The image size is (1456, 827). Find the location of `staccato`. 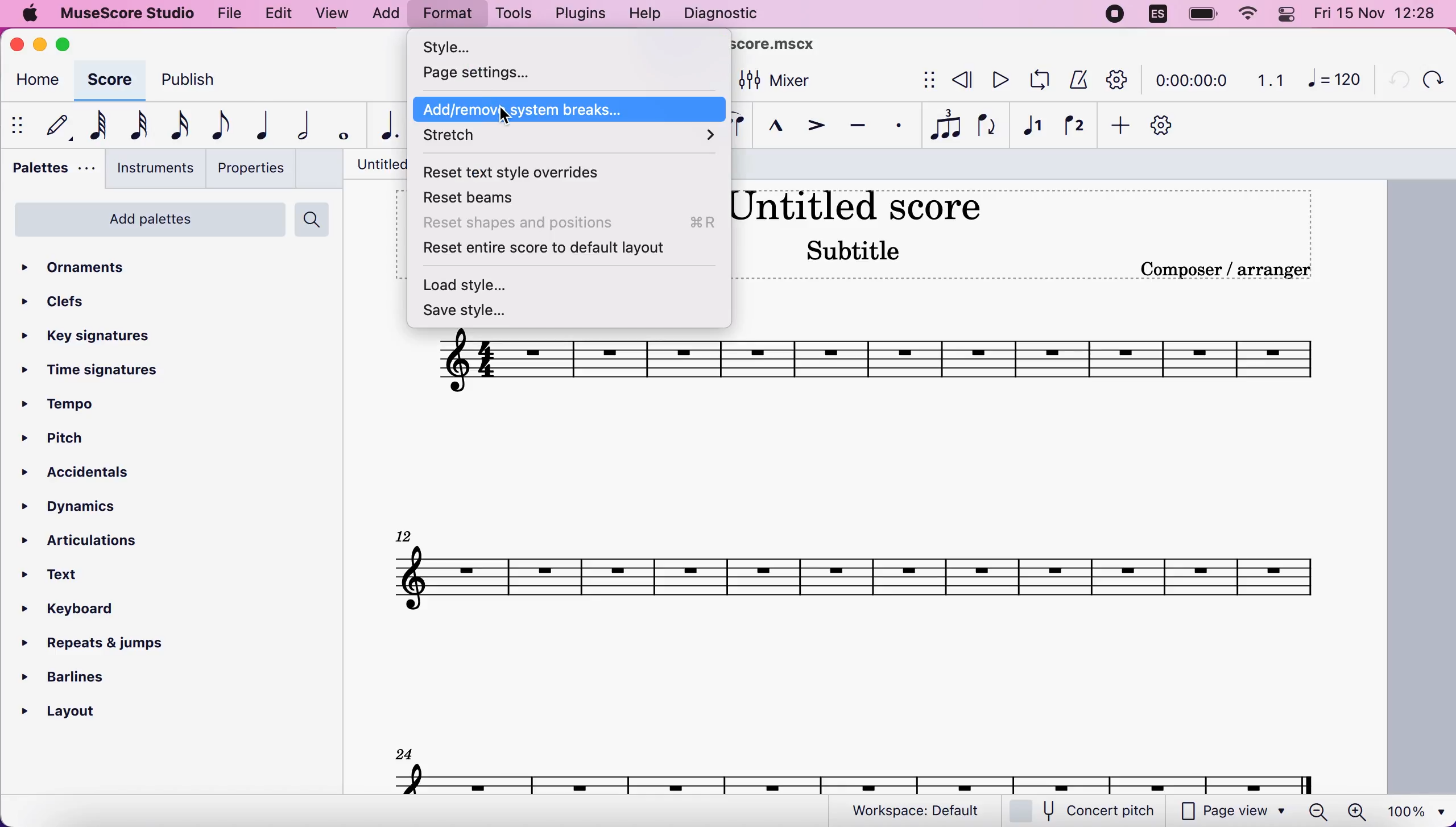

staccato is located at coordinates (899, 126).